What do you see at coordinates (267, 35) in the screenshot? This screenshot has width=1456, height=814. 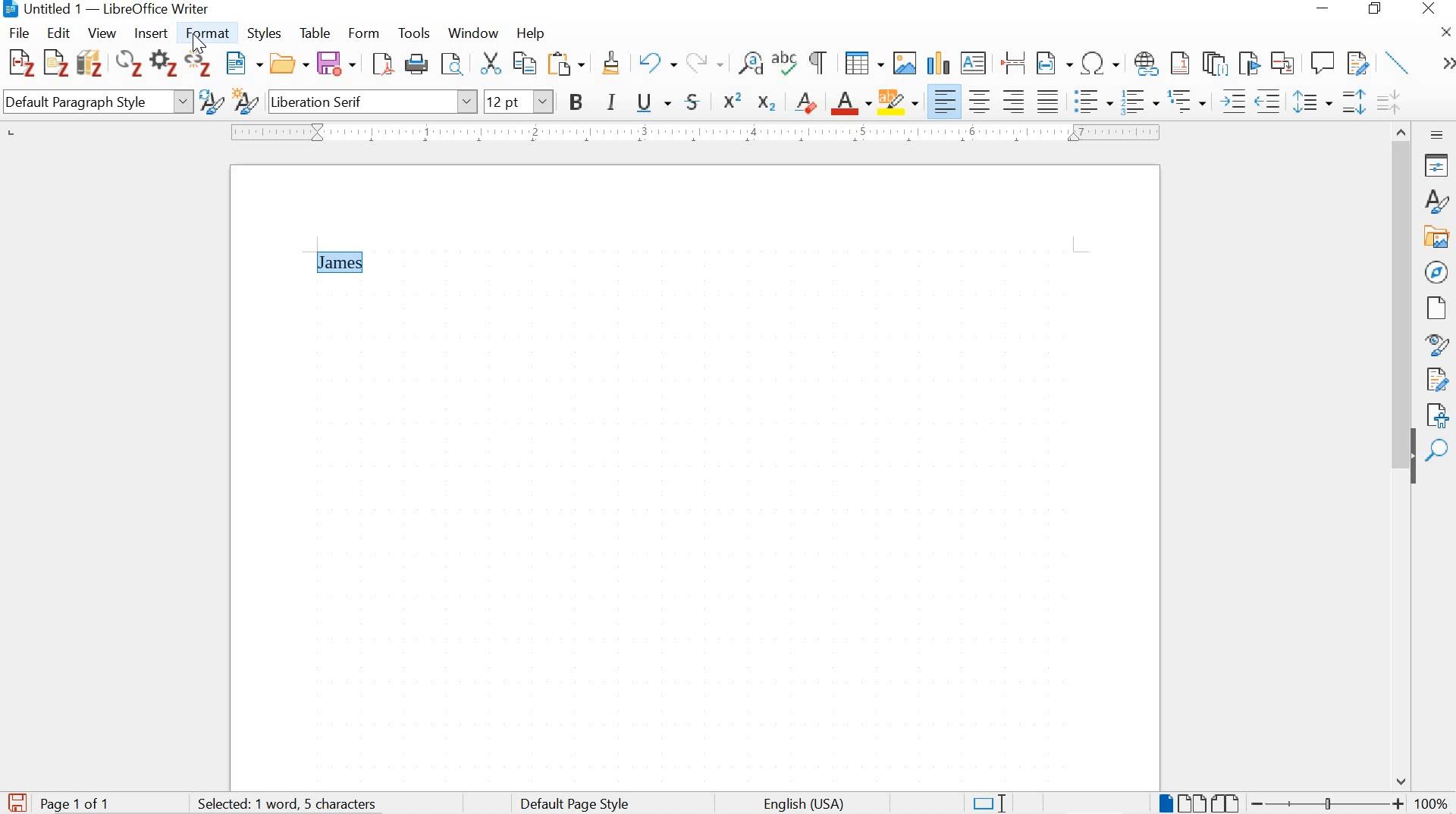 I see `styles` at bounding box center [267, 35].